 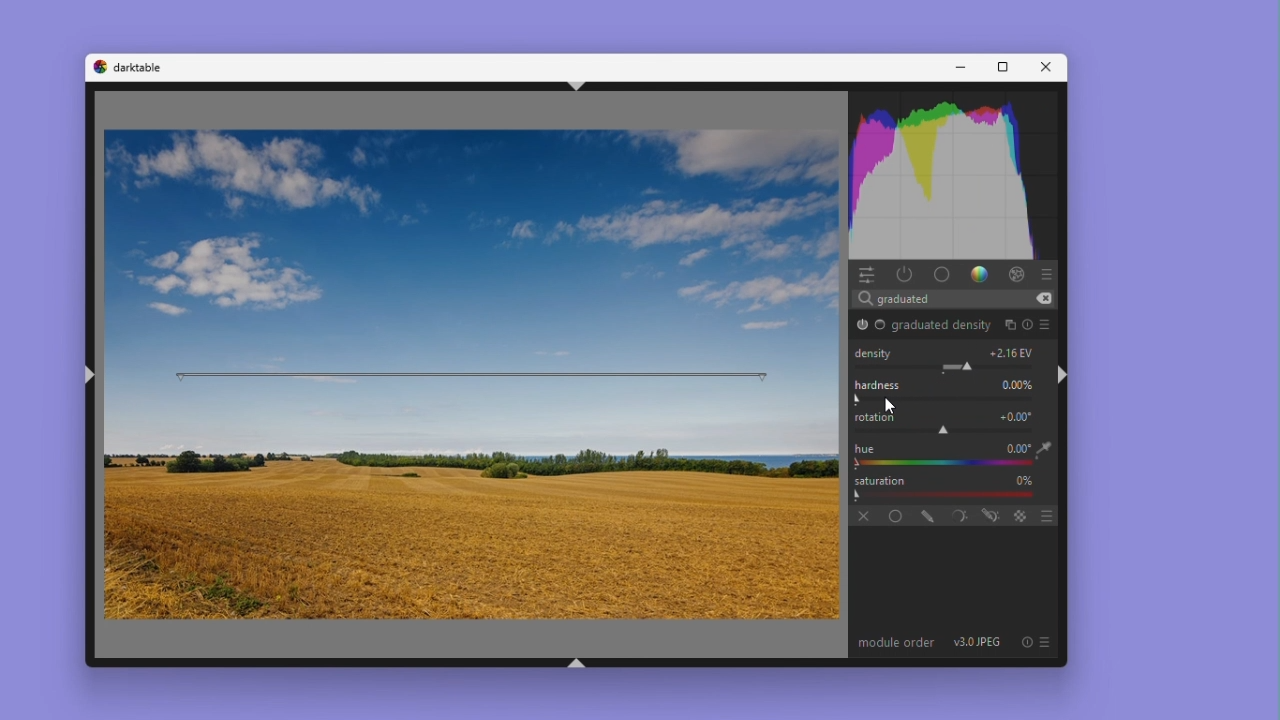 What do you see at coordinates (938, 464) in the screenshot?
I see `color picker` at bounding box center [938, 464].